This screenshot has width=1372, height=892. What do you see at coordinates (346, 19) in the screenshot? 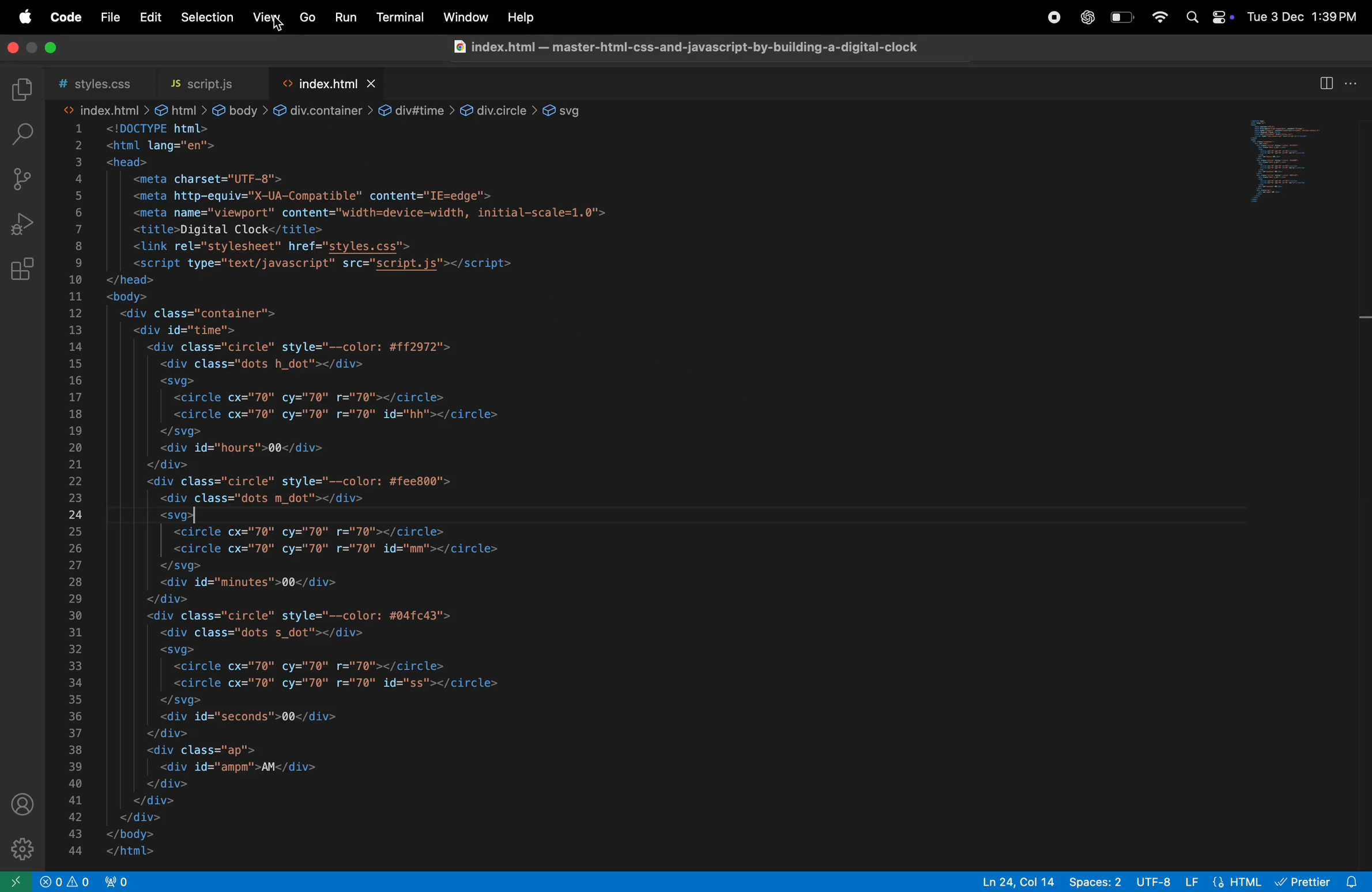
I see `run` at bounding box center [346, 19].